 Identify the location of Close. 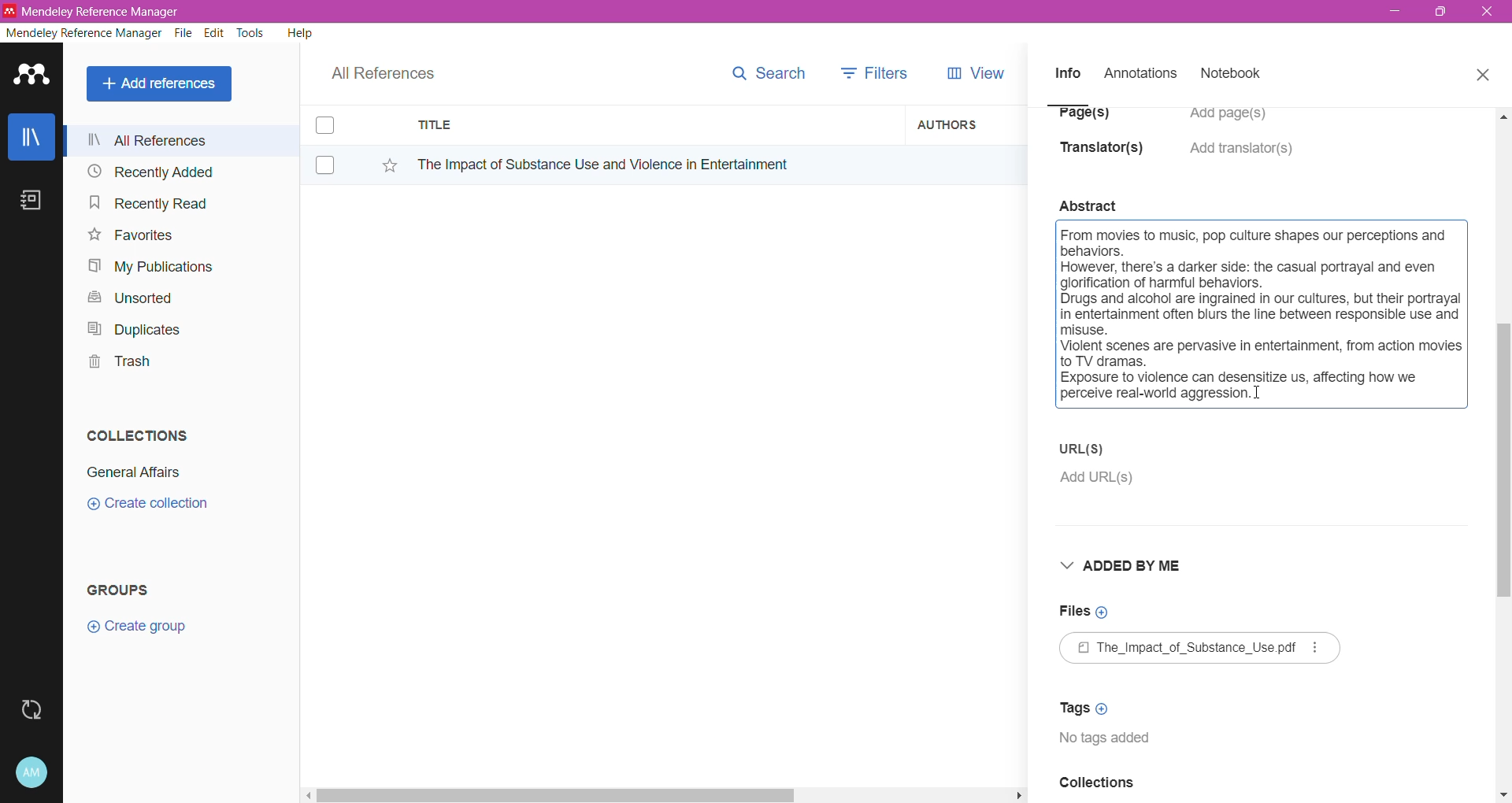
(1488, 13).